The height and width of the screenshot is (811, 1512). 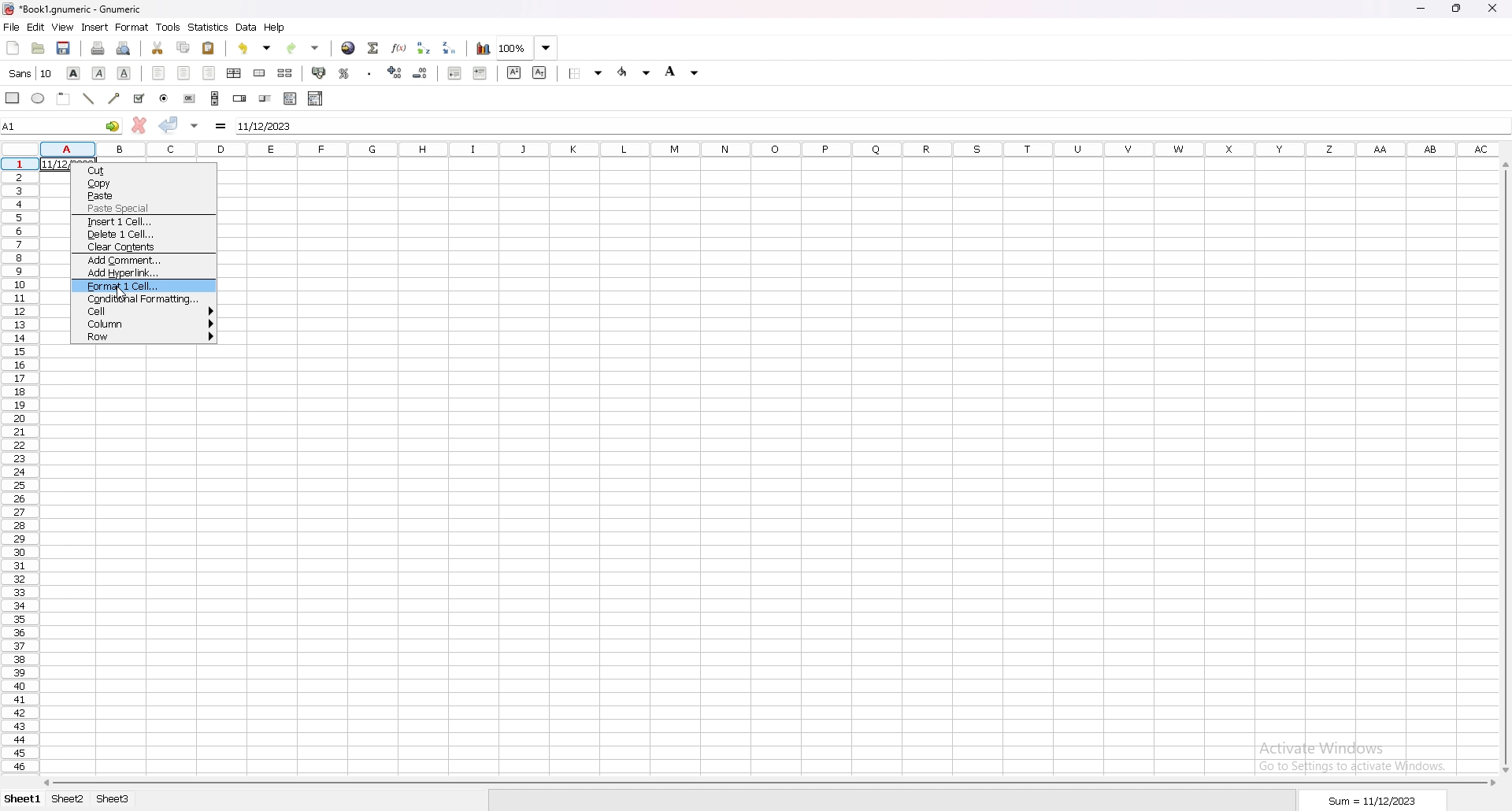 I want to click on foreground, so click(x=635, y=72).